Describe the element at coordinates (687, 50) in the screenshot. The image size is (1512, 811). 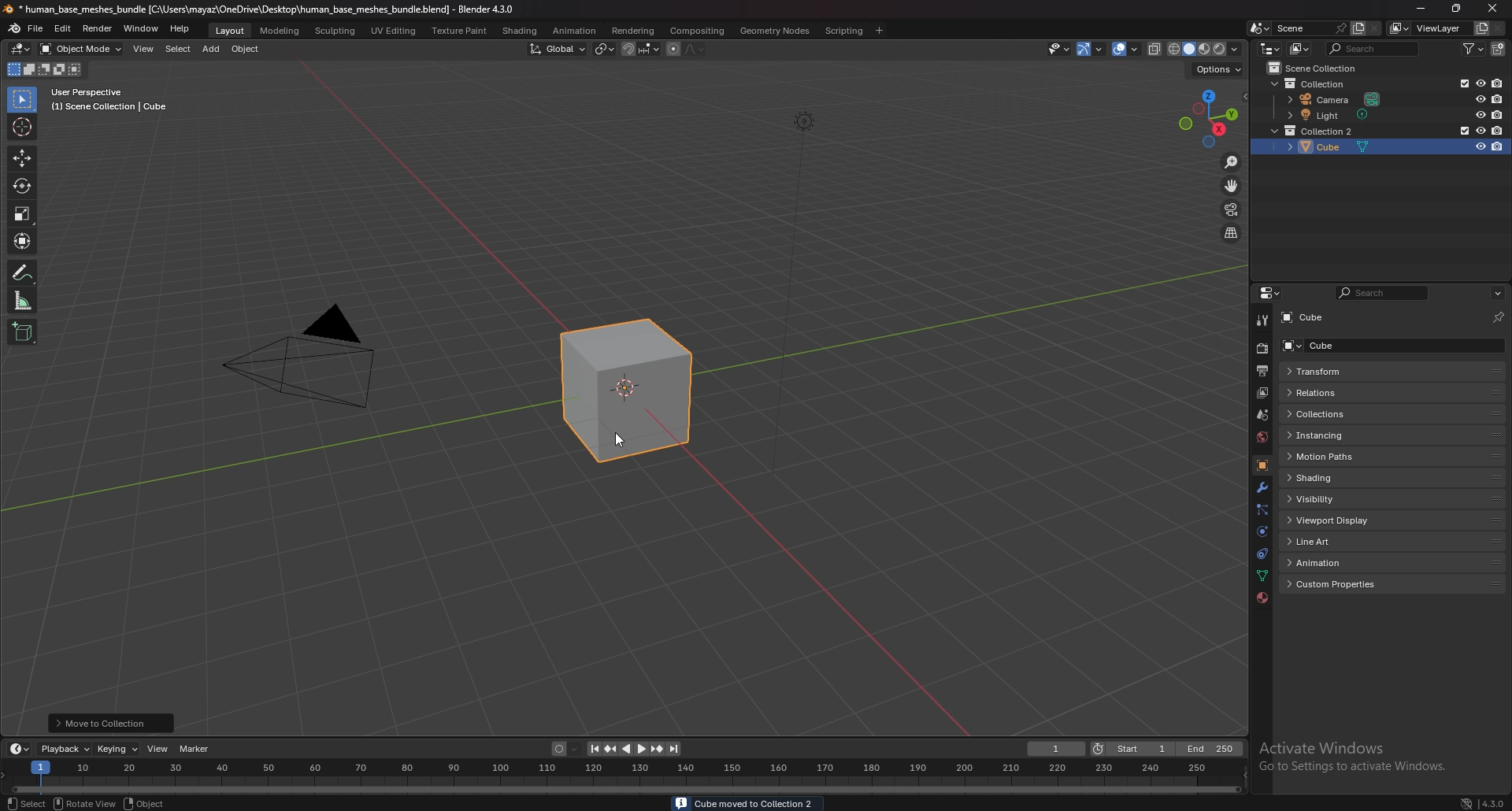
I see `proportional editing objects` at that location.